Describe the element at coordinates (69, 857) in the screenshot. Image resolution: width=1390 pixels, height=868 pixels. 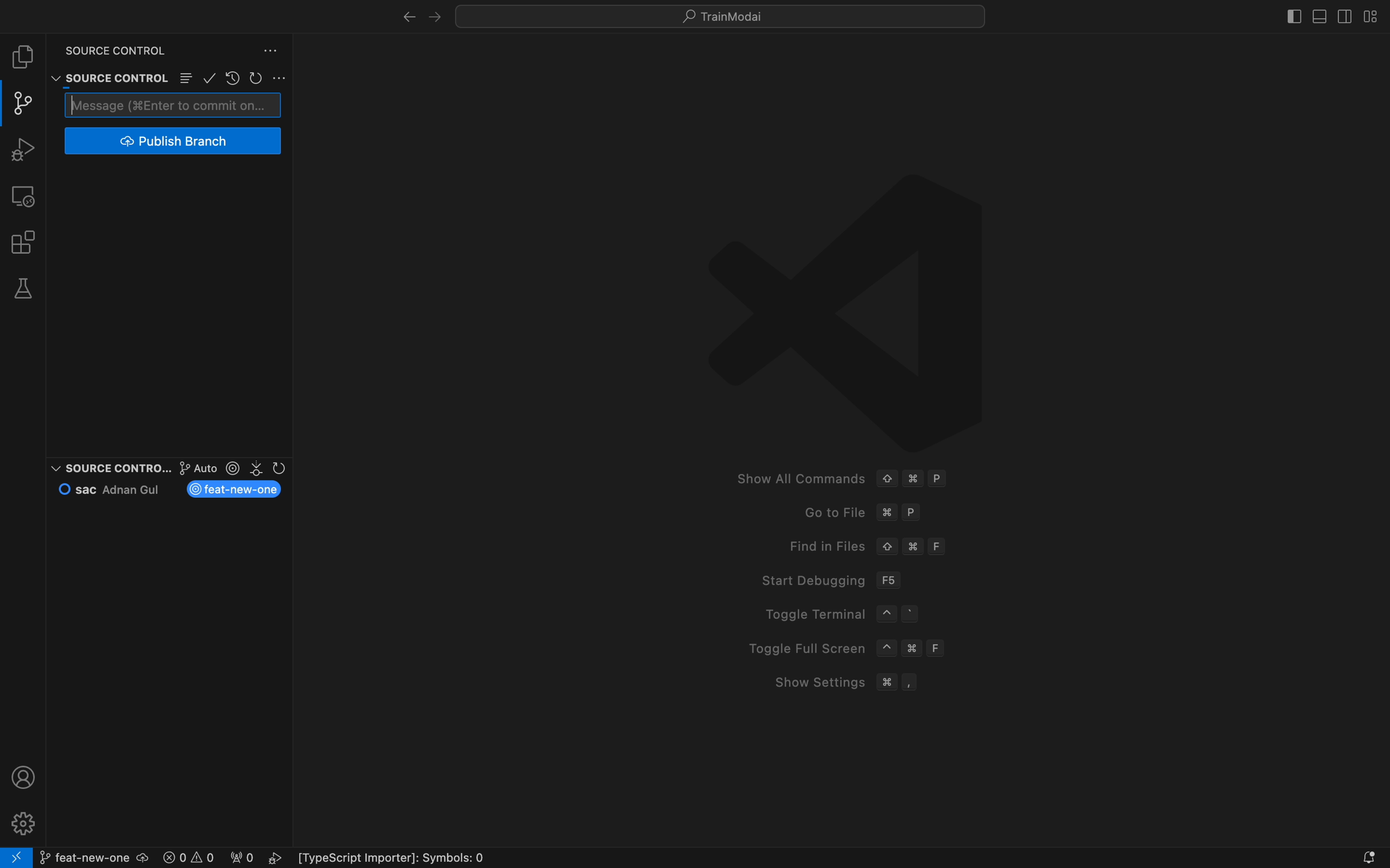
I see `git branch` at that location.